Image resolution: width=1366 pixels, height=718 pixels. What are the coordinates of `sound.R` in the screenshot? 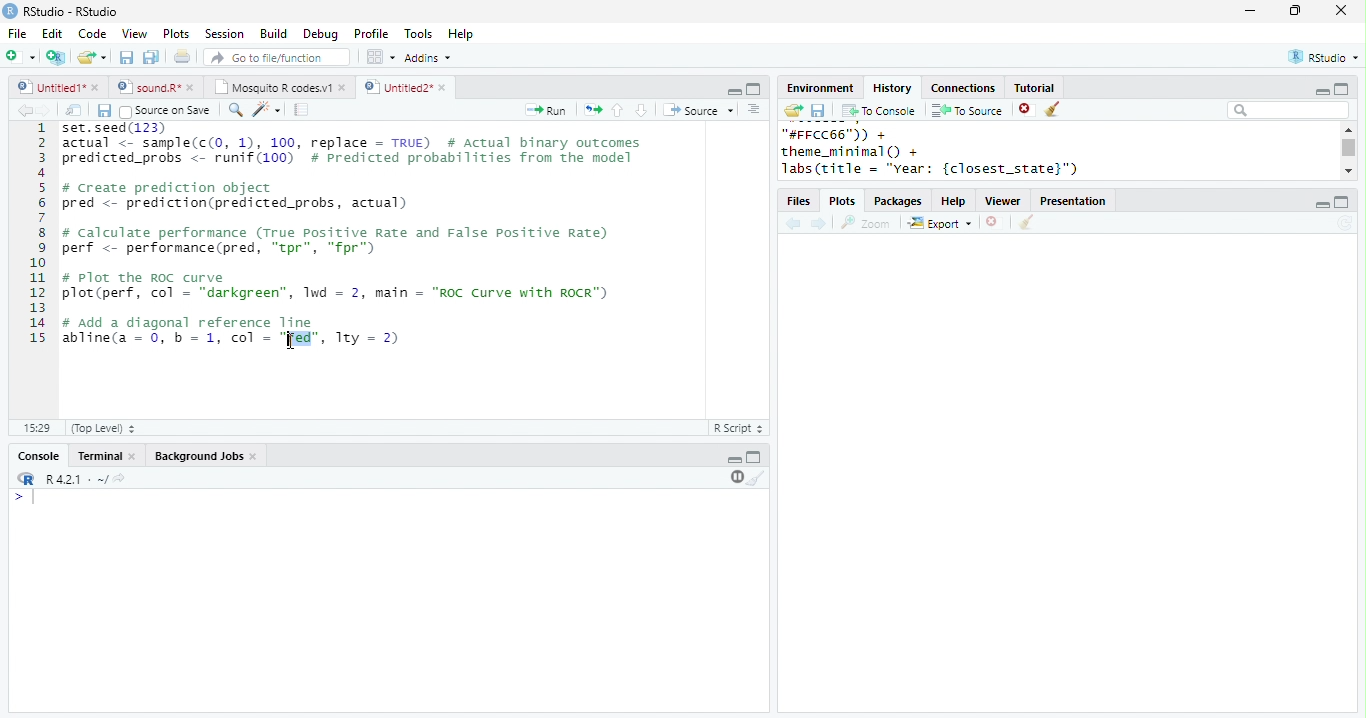 It's located at (149, 87).